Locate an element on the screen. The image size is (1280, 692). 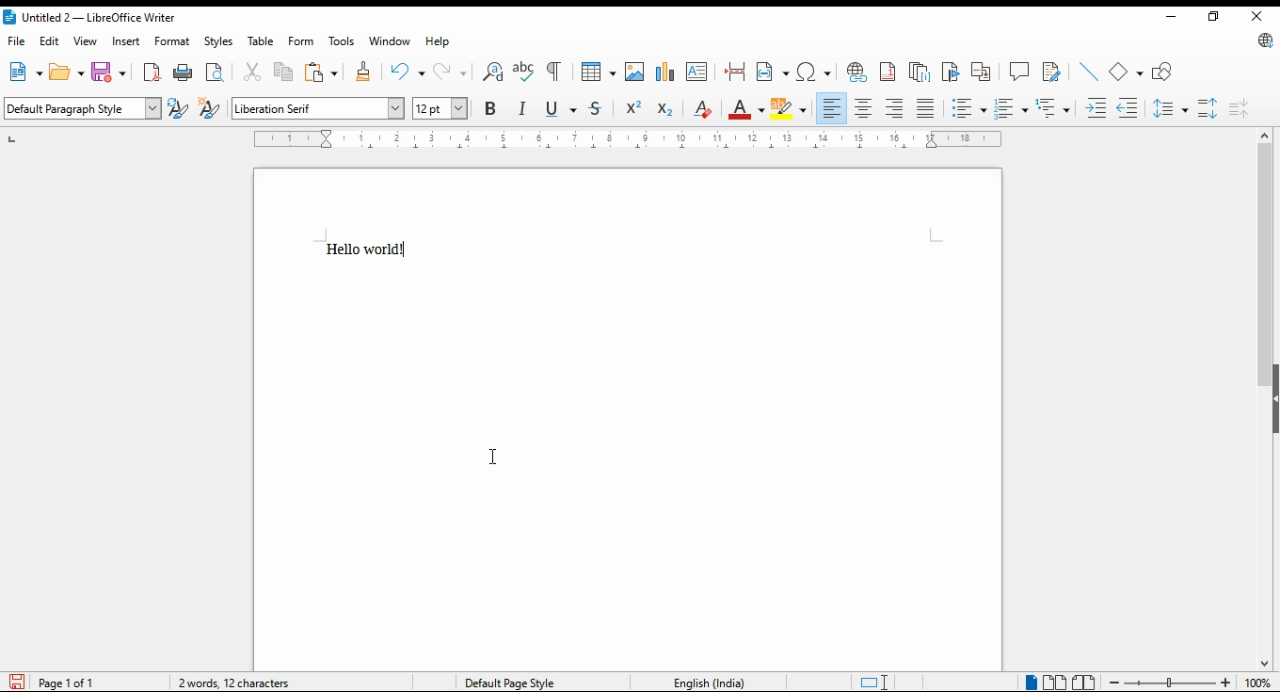
strikethrough is located at coordinates (596, 110).